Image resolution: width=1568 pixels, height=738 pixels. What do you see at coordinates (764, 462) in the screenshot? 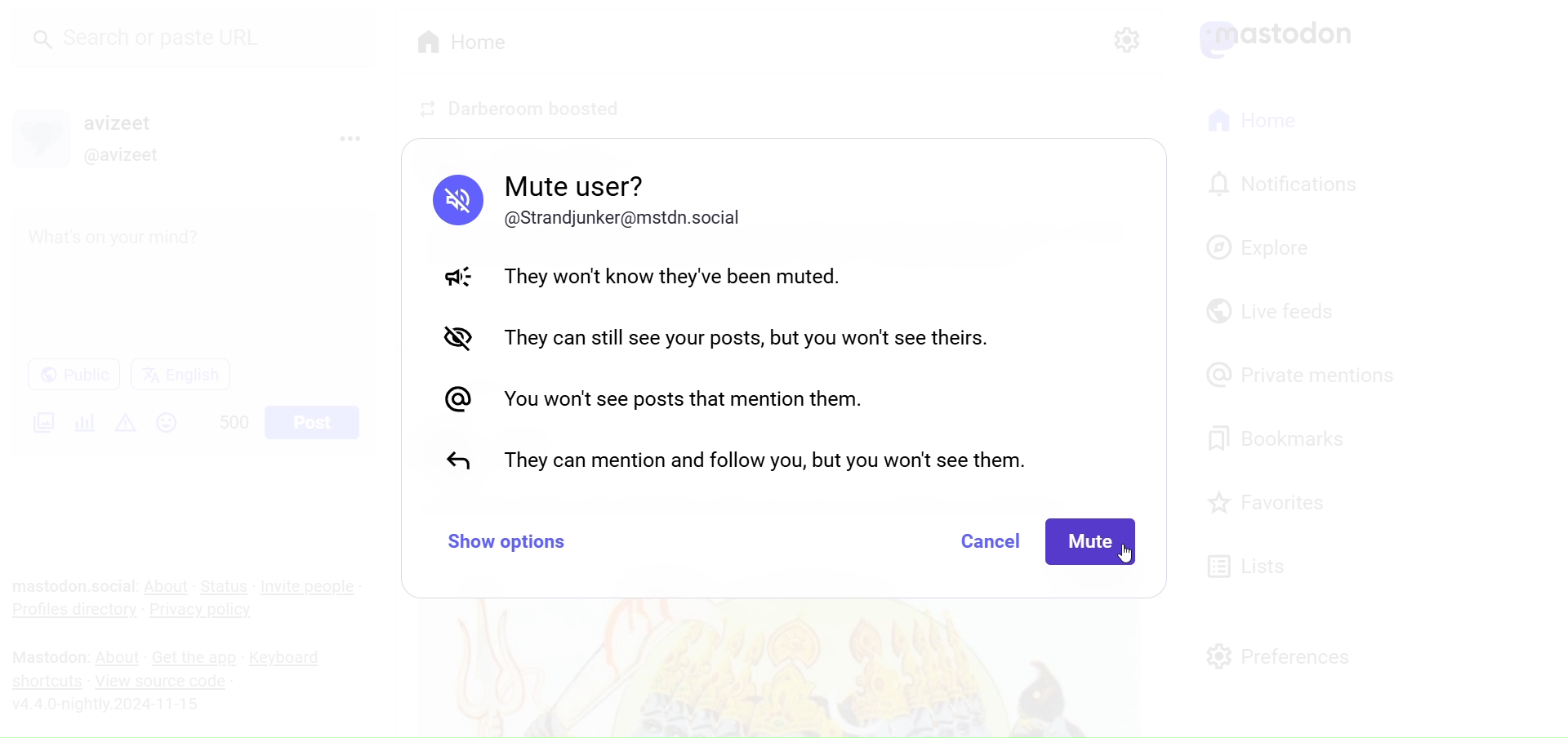
I see `They can mention and follow you but you wont see them` at bounding box center [764, 462].